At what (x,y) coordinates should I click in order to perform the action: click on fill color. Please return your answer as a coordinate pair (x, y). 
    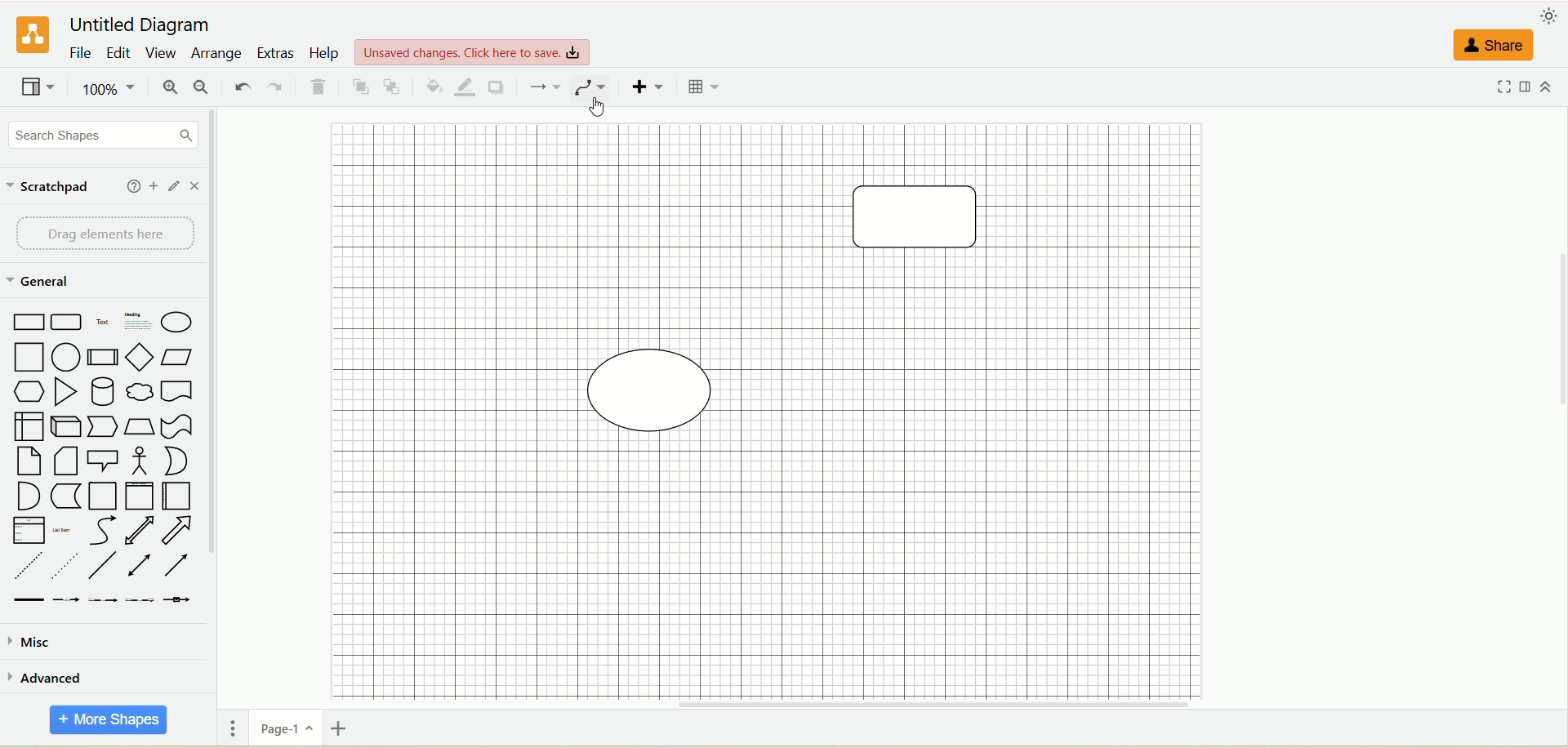
    Looking at the image, I should click on (432, 86).